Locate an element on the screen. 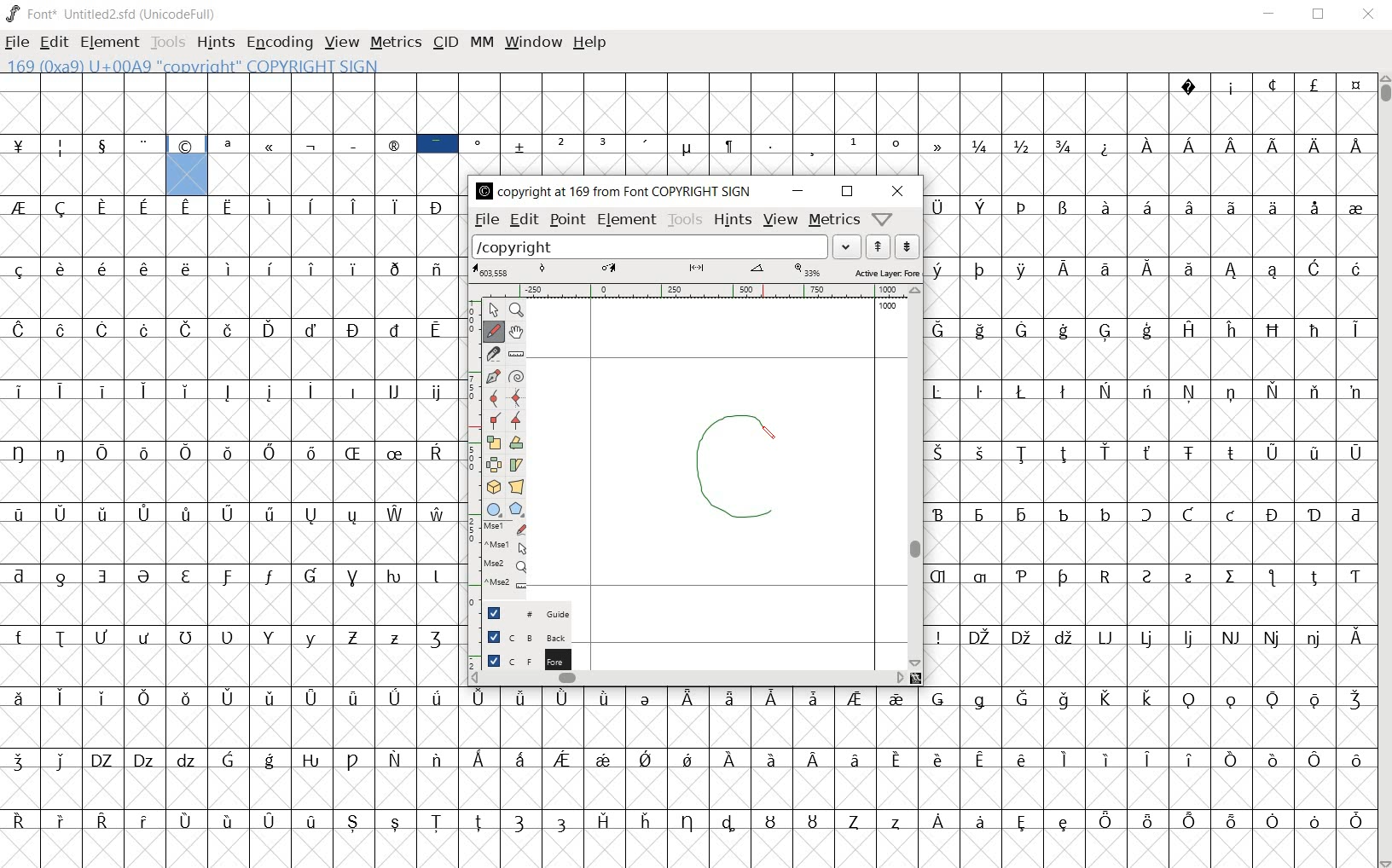 Image resolution: width=1392 pixels, height=868 pixels. foreground layer is located at coordinates (519, 660).